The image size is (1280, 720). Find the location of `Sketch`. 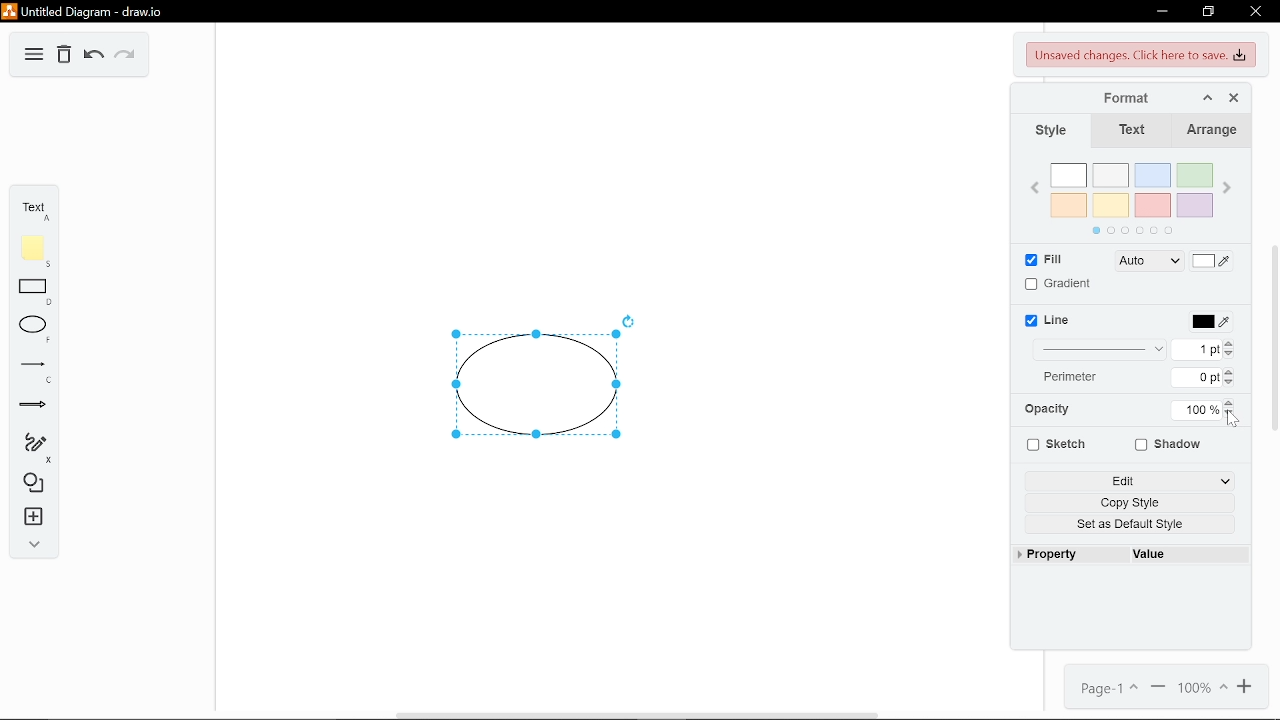

Sketch is located at coordinates (1052, 445).